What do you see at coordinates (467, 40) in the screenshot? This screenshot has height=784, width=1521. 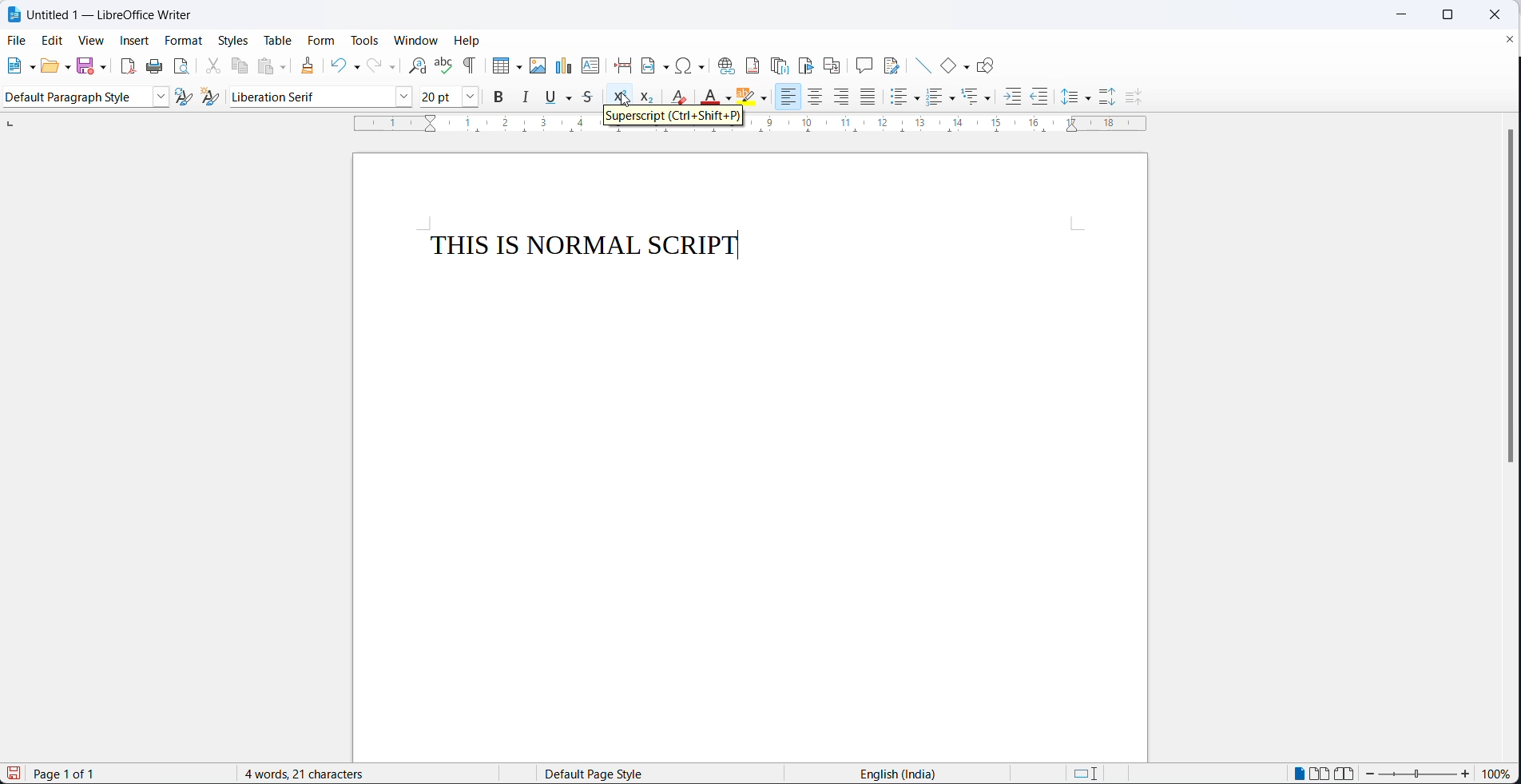 I see `help` at bounding box center [467, 40].